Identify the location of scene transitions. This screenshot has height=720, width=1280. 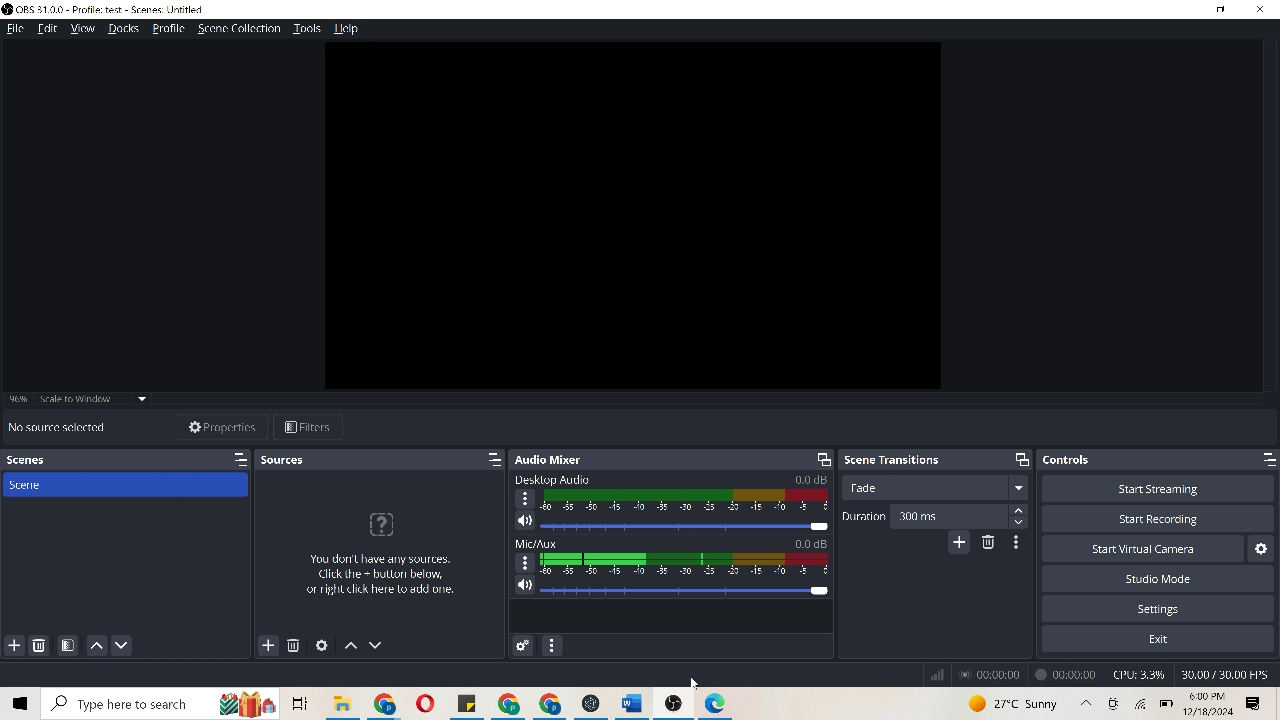
(897, 460).